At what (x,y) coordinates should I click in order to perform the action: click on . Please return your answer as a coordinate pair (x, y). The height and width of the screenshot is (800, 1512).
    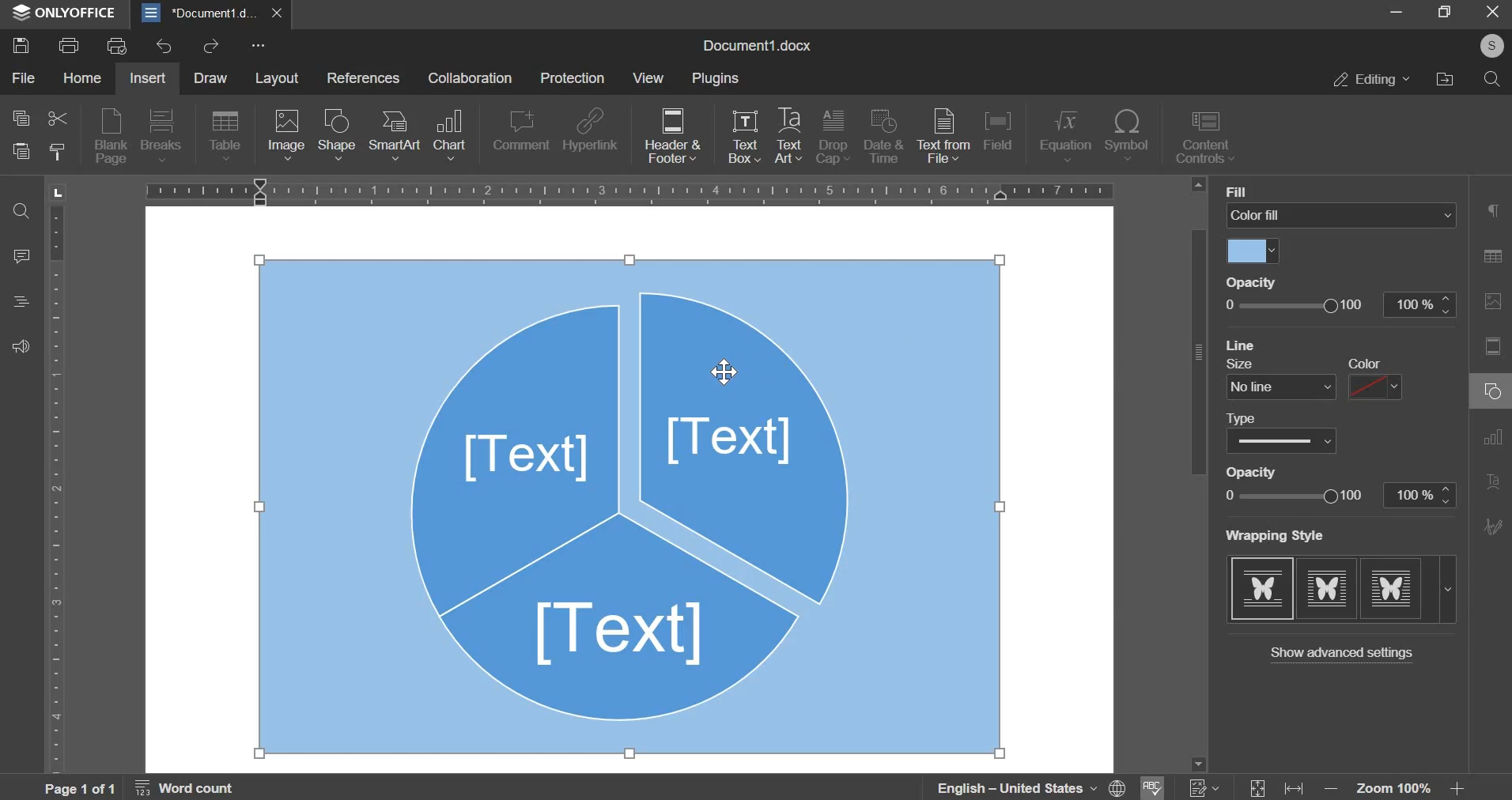
    Looking at the image, I should click on (1248, 416).